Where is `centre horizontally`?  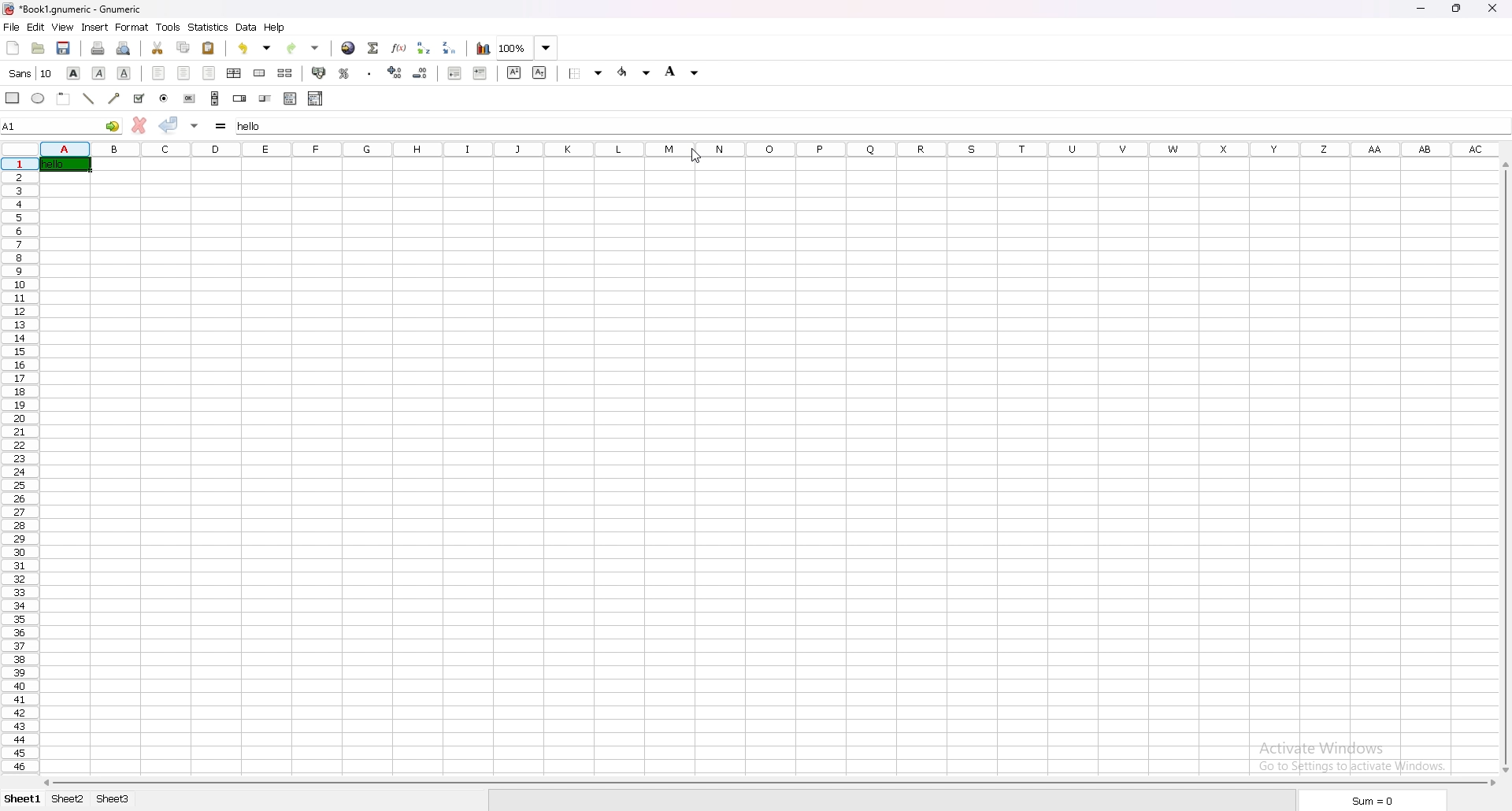 centre horizontally is located at coordinates (235, 72).